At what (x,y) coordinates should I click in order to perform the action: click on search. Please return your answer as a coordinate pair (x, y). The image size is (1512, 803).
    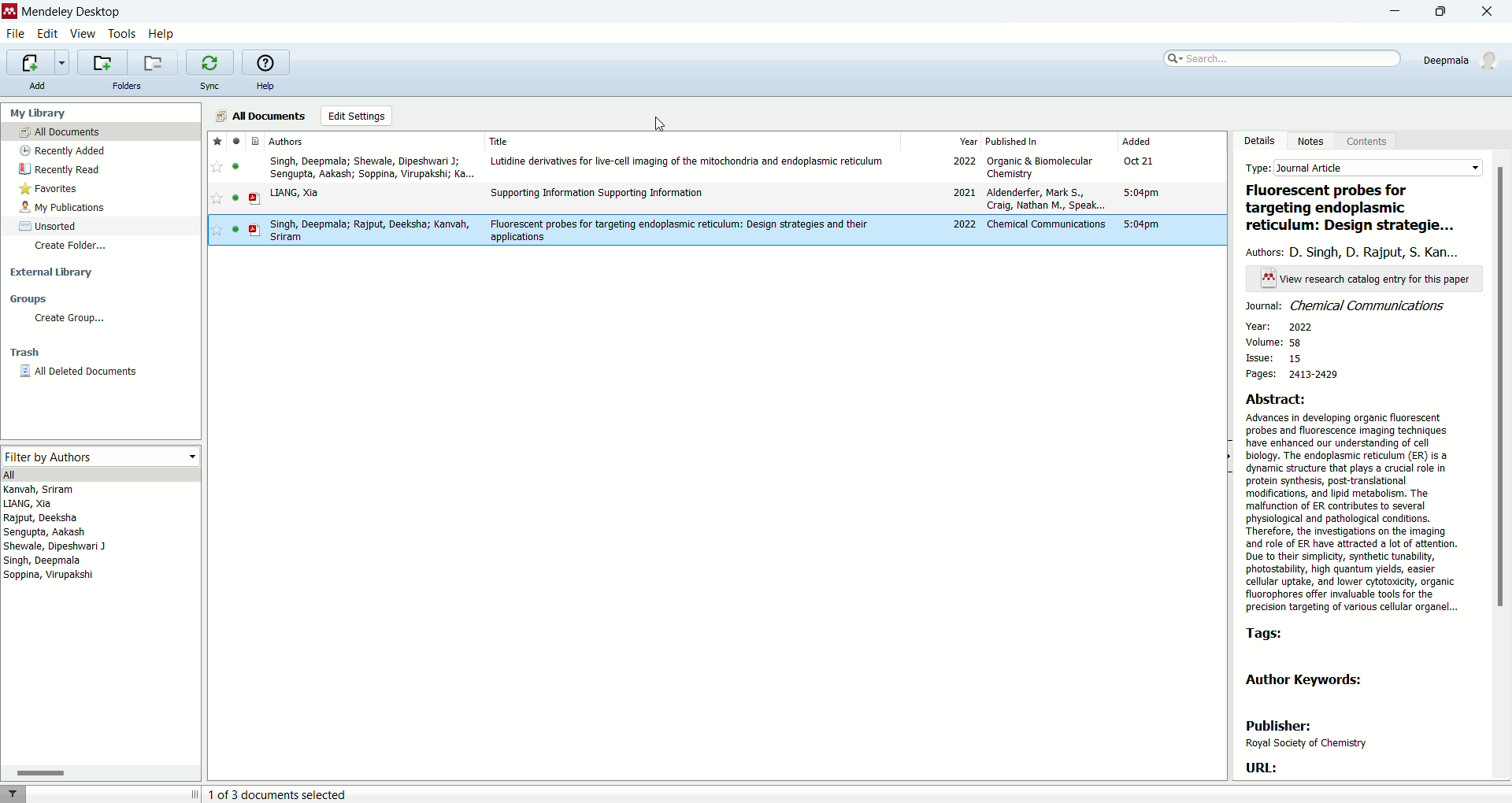
    Looking at the image, I should click on (1280, 62).